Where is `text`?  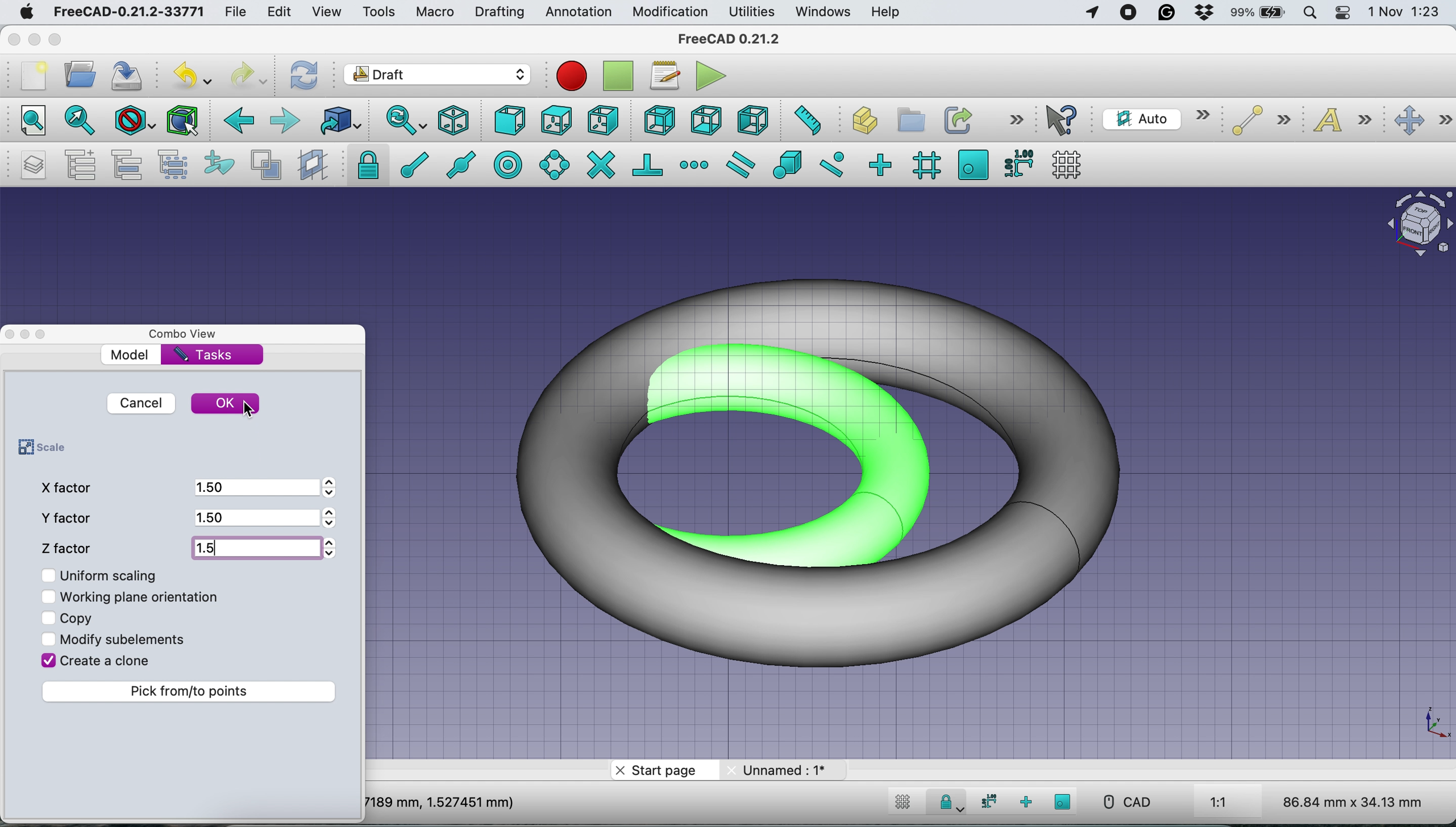
text is located at coordinates (1345, 122).